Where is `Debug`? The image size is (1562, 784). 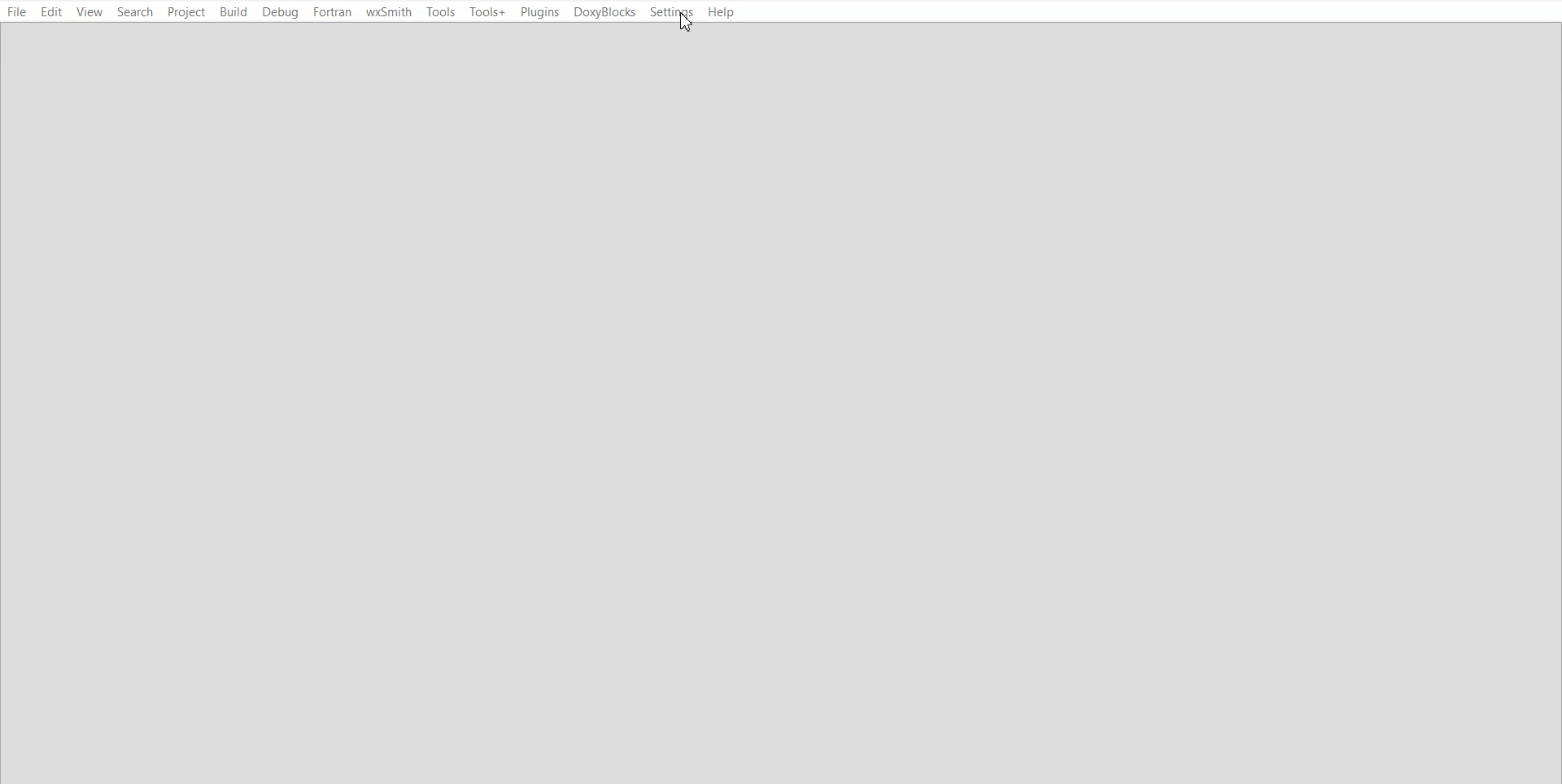 Debug is located at coordinates (280, 12).